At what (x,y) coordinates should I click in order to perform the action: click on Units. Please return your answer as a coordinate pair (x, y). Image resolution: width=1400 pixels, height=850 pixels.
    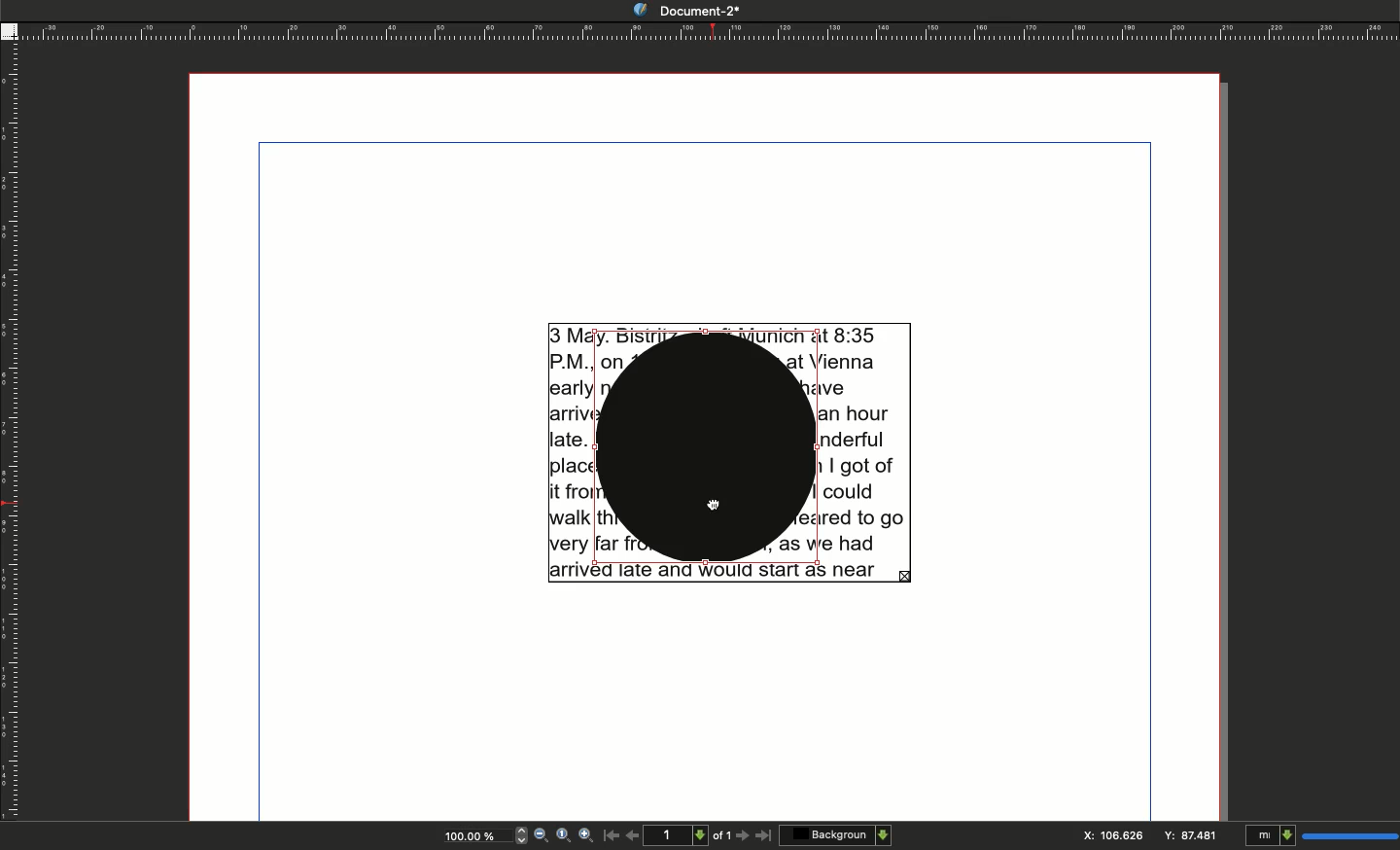
    Looking at the image, I should click on (1322, 833).